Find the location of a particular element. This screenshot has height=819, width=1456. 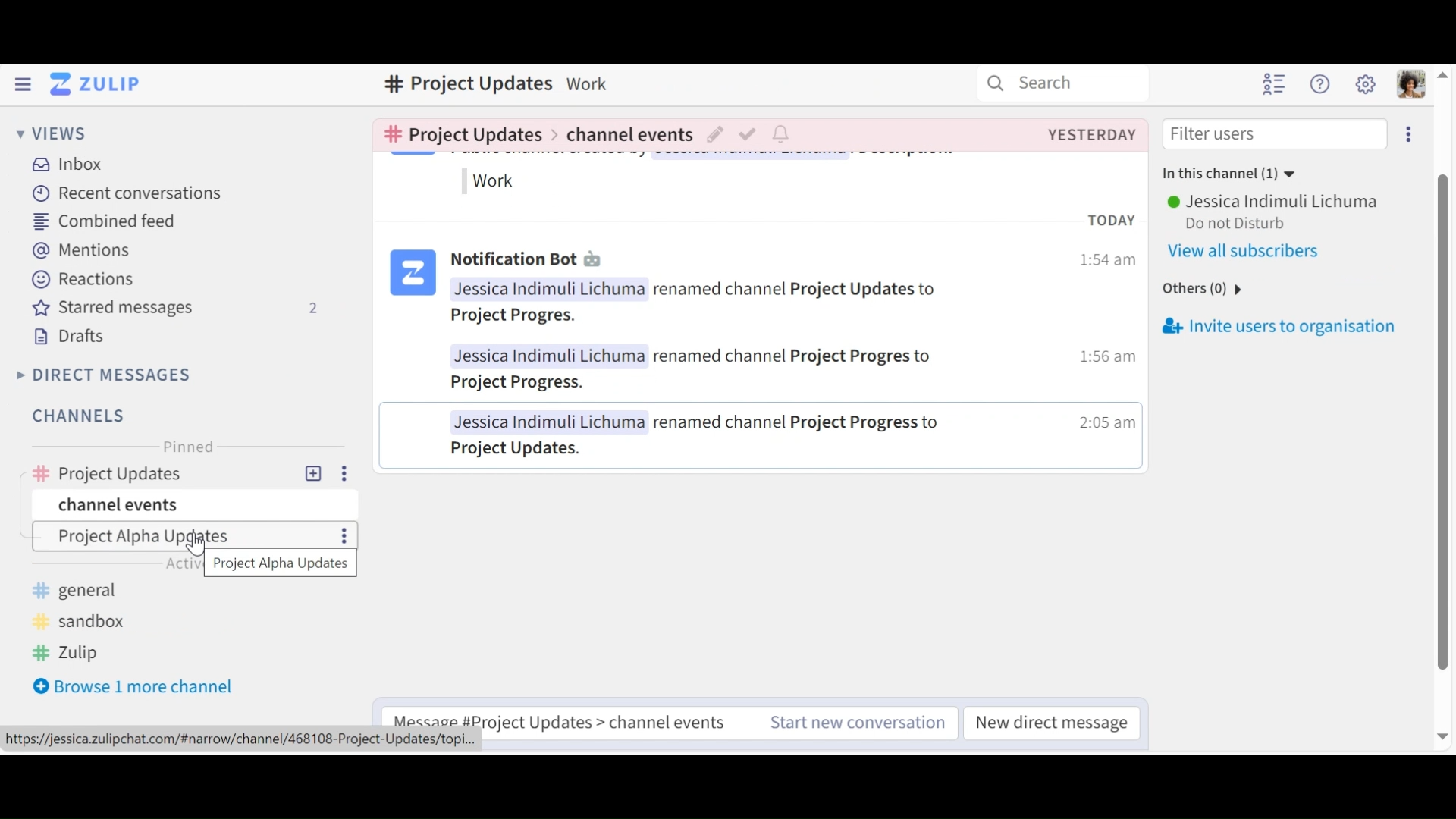

pop up is located at coordinates (282, 565).